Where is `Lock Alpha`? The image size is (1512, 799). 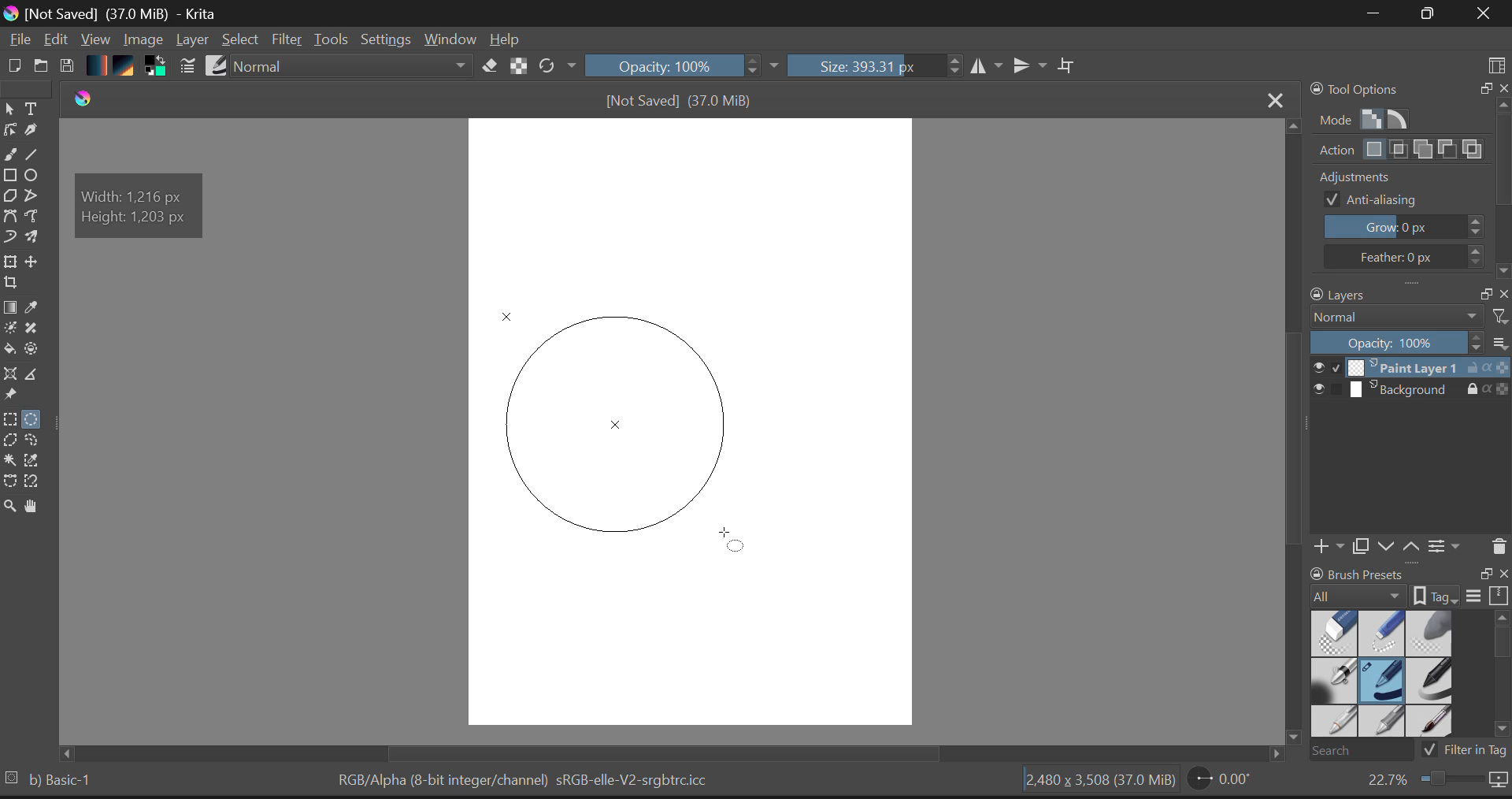
Lock Alpha is located at coordinates (516, 67).